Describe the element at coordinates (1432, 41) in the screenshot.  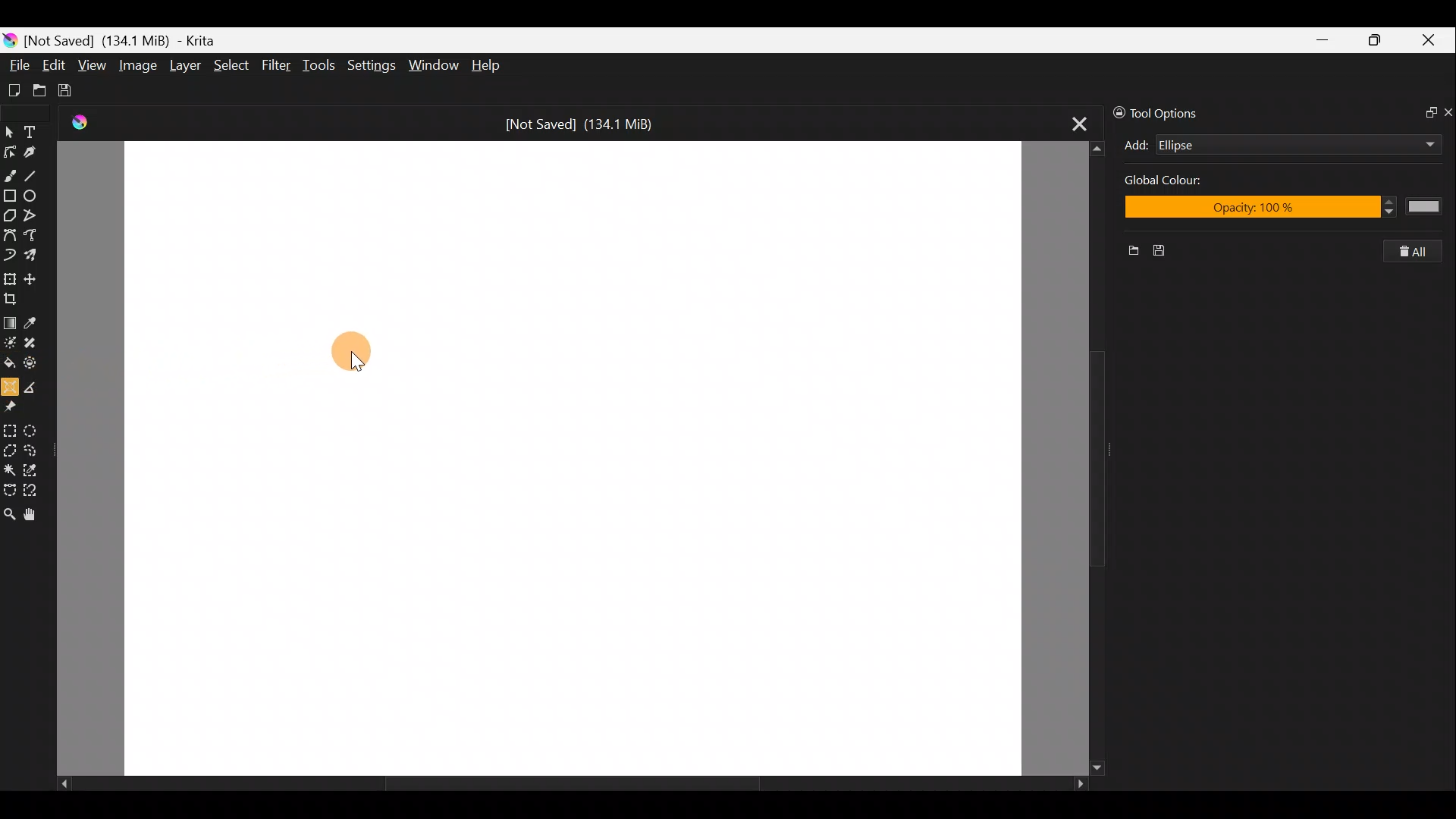
I see `Close` at that location.